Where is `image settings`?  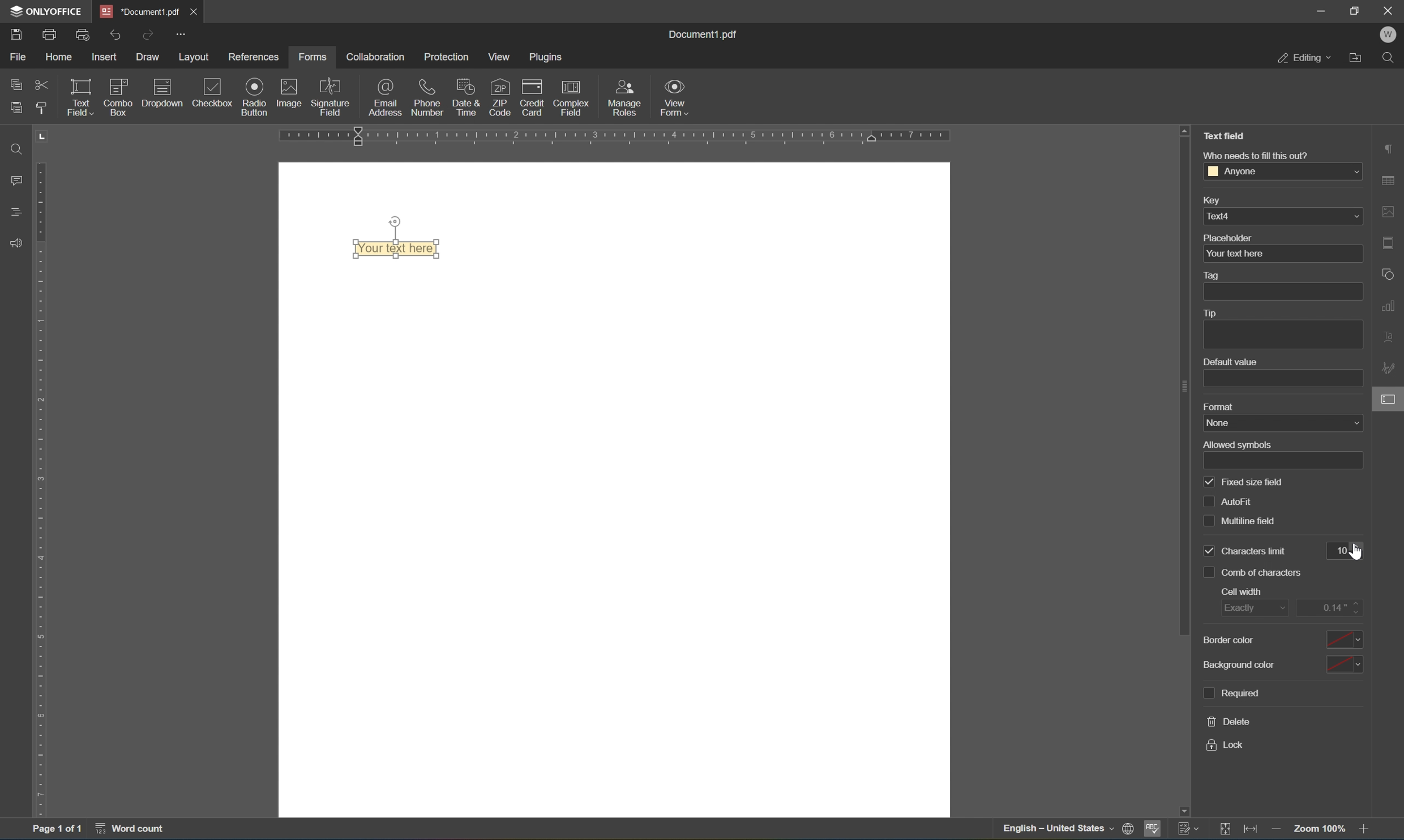 image settings is located at coordinates (1390, 210).